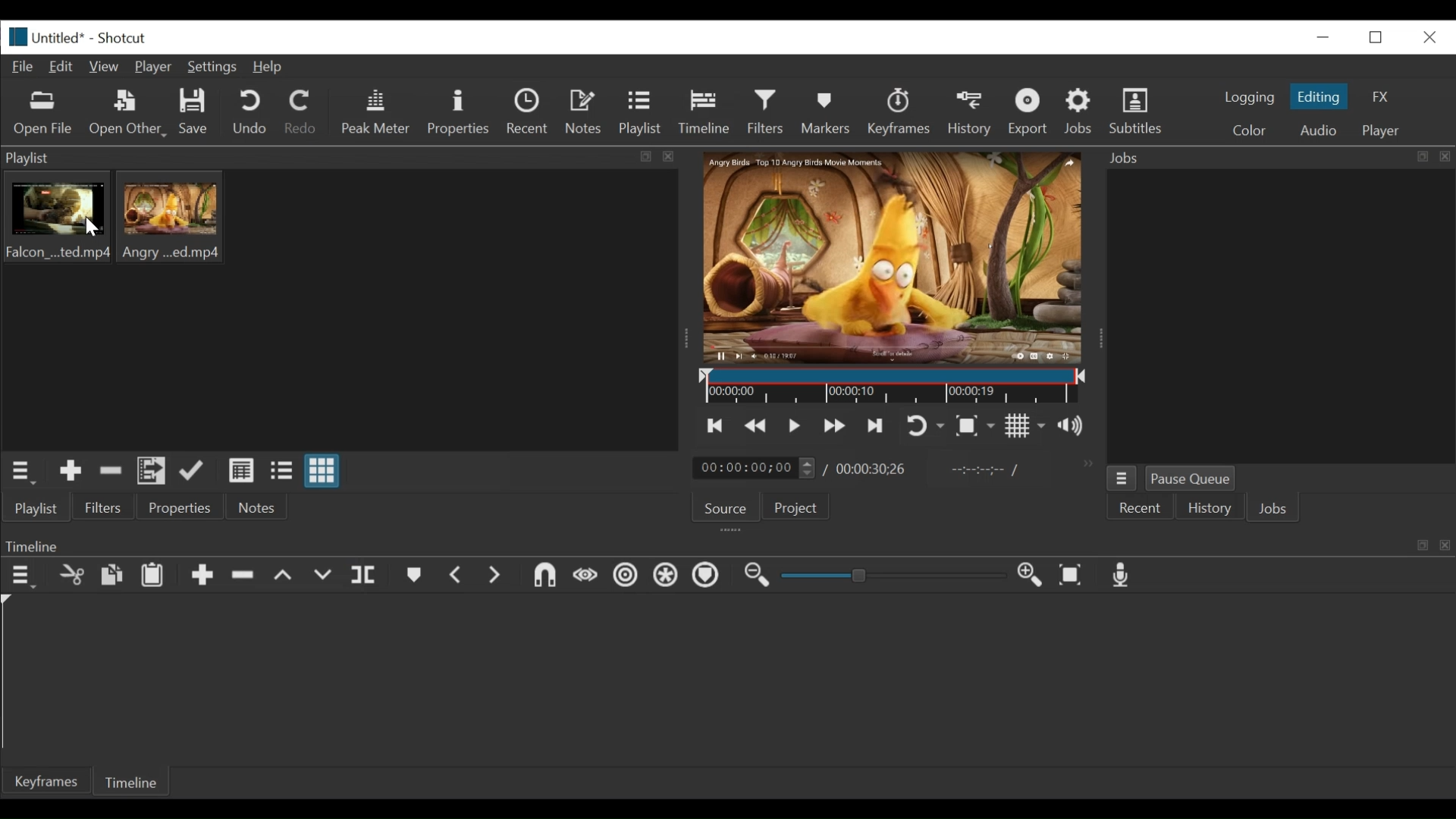  What do you see at coordinates (1248, 97) in the screenshot?
I see `logging` at bounding box center [1248, 97].